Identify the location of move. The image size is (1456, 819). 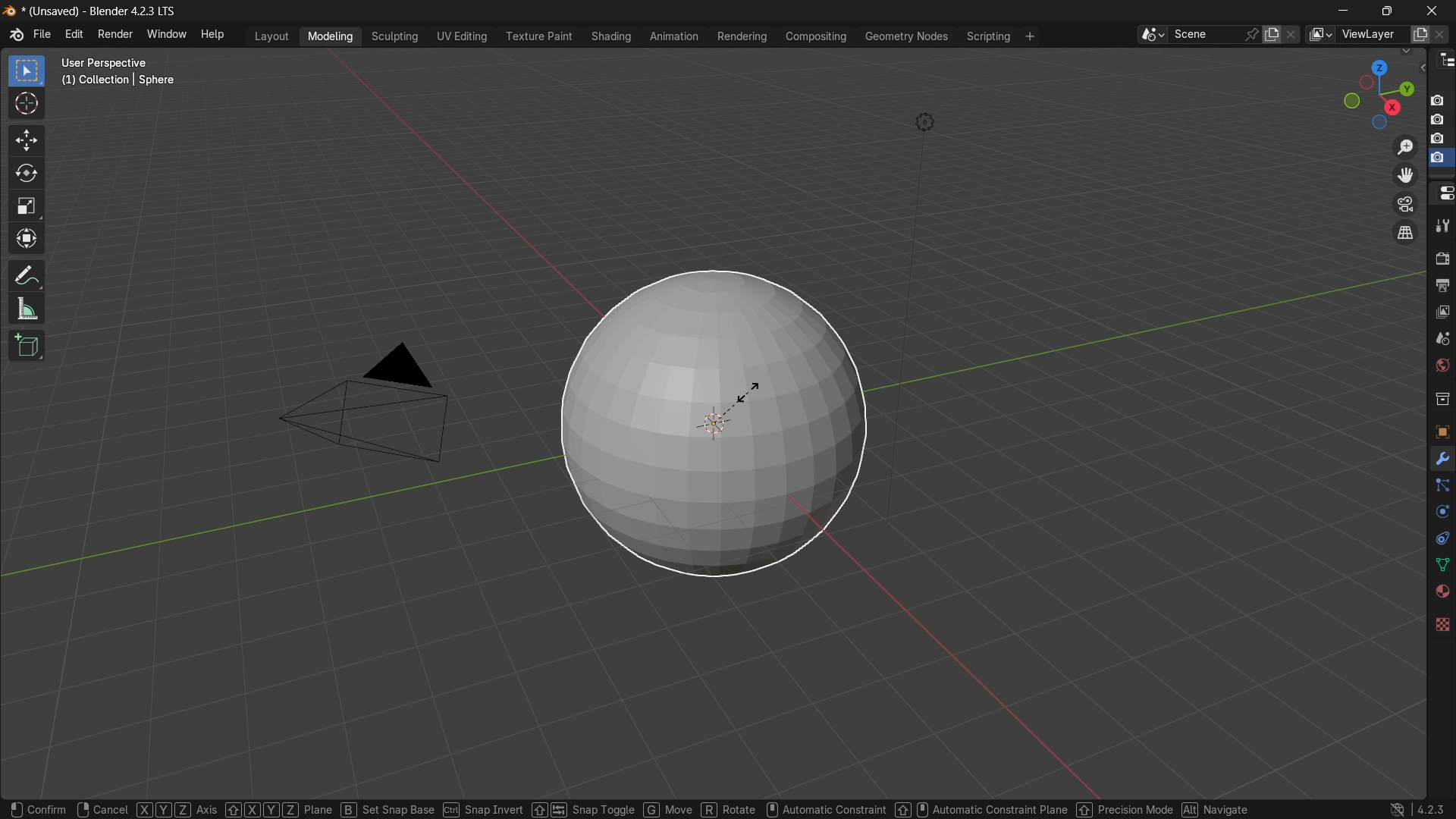
(25, 140).